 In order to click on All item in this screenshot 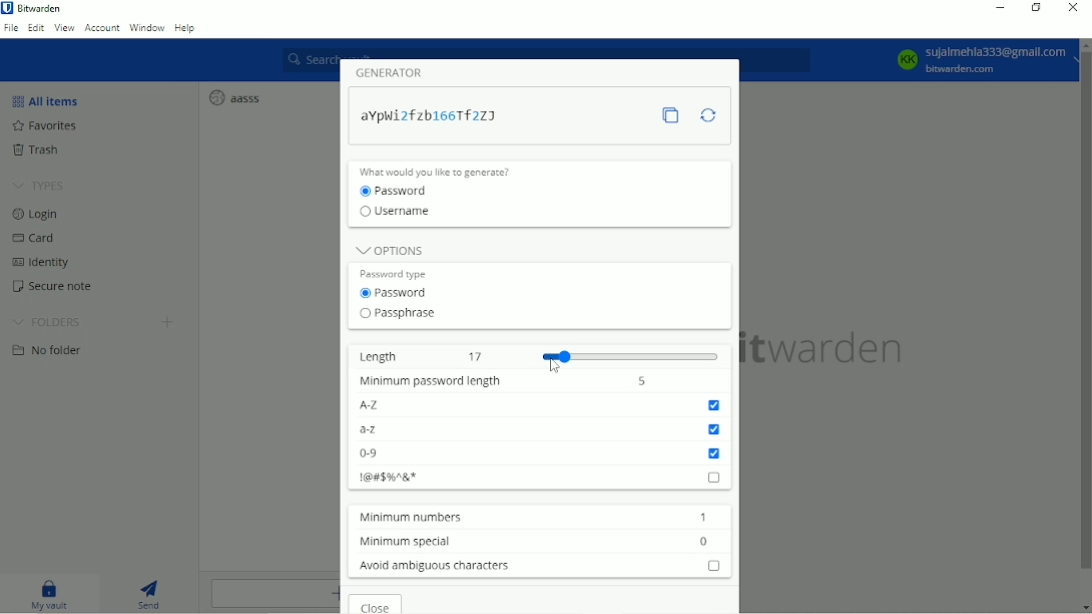, I will do `click(46, 100)`.